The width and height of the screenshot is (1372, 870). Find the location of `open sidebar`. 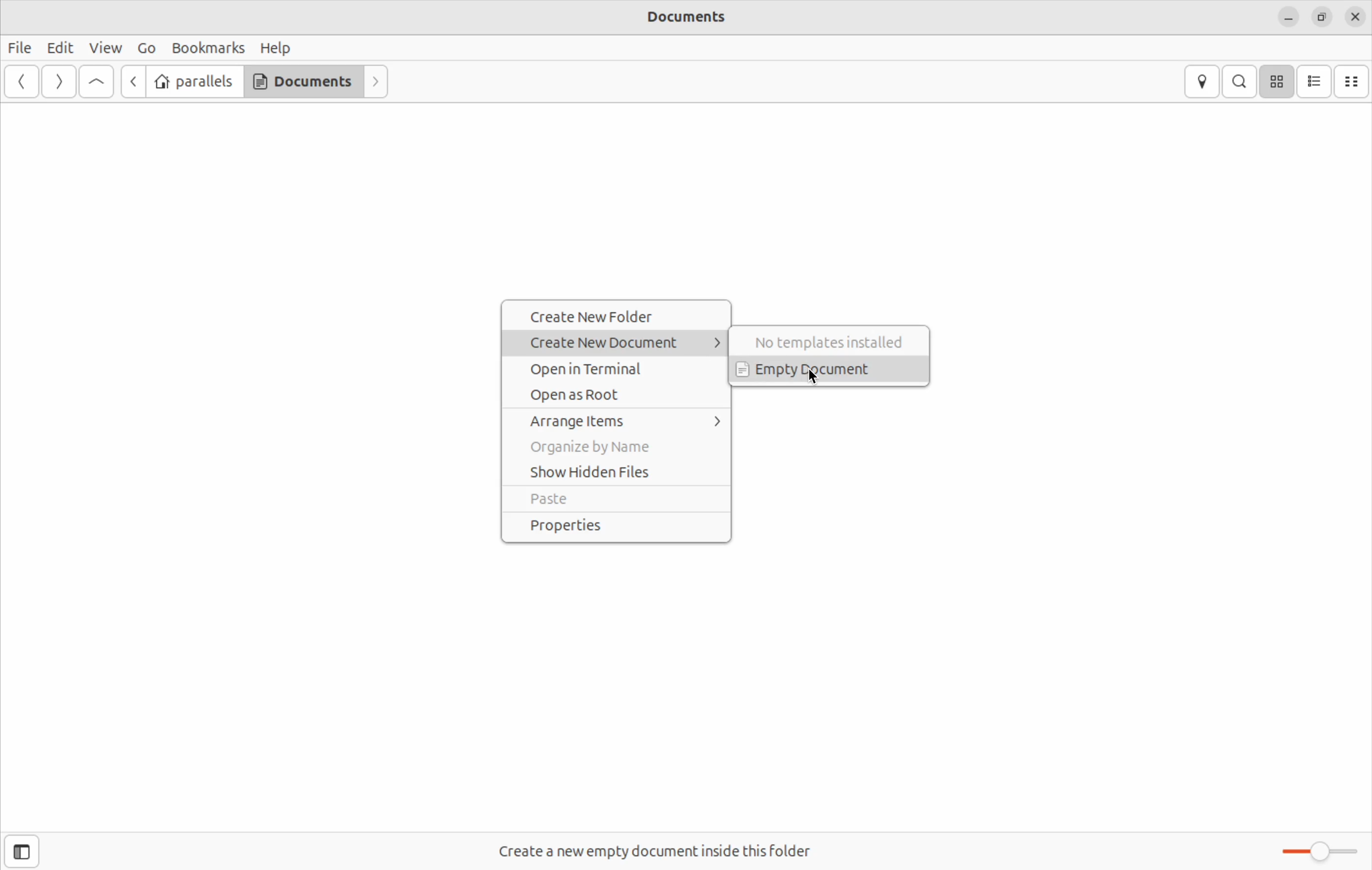

open sidebar is located at coordinates (26, 851).